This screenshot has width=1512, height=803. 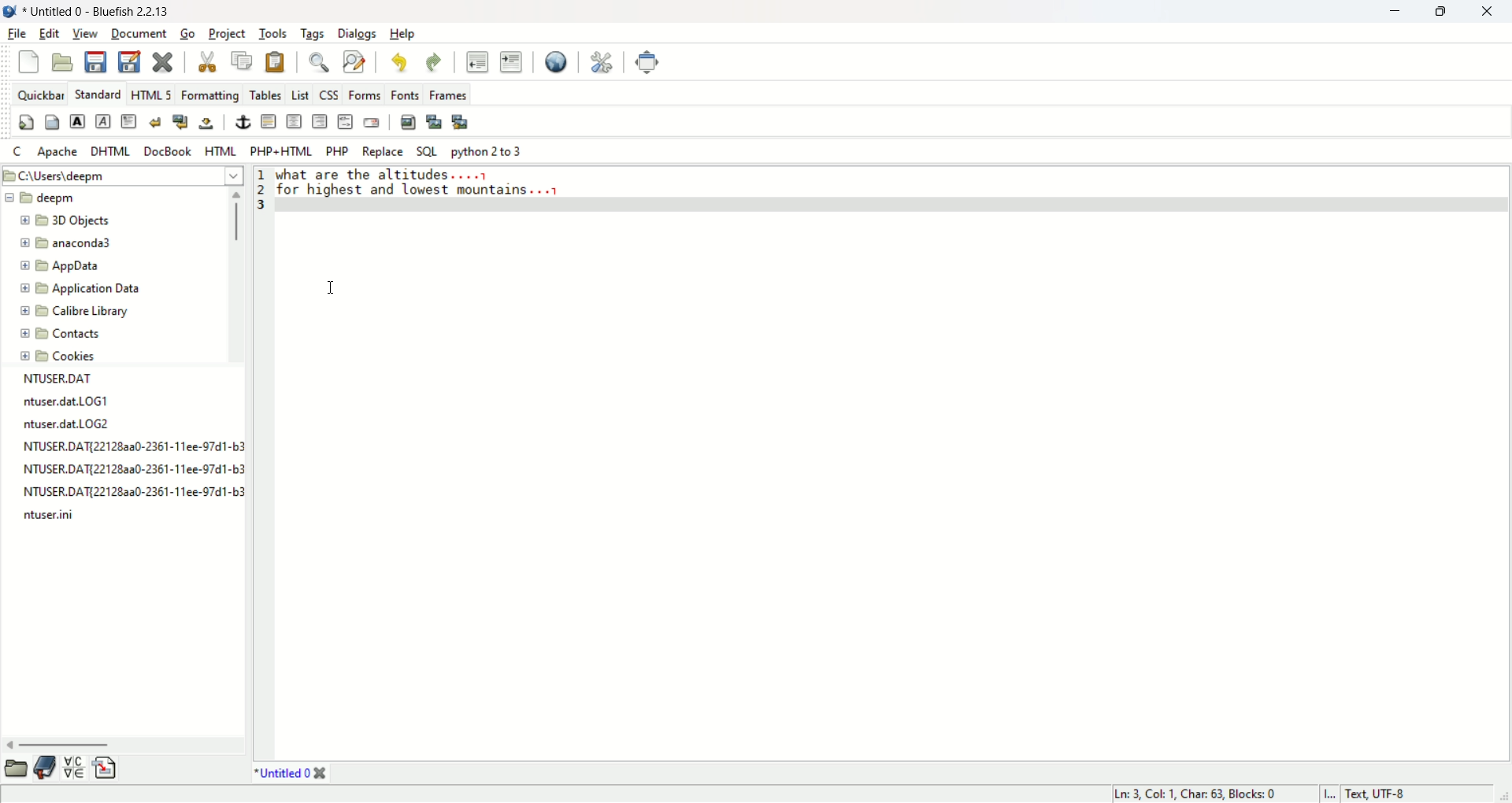 I want to click on text, UTF-8, so click(x=1386, y=794).